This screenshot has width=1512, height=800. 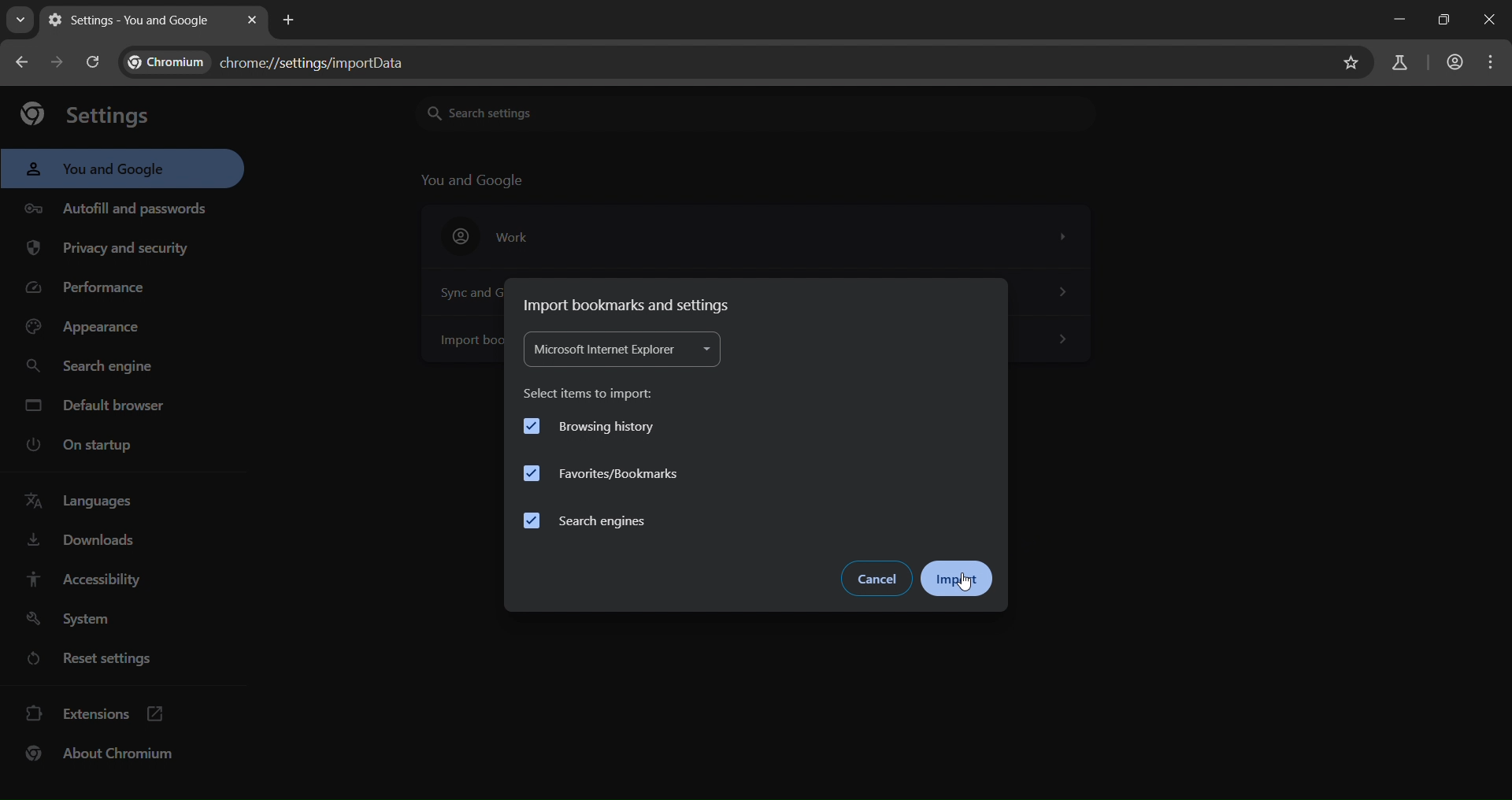 What do you see at coordinates (77, 446) in the screenshot?
I see `on startup` at bounding box center [77, 446].